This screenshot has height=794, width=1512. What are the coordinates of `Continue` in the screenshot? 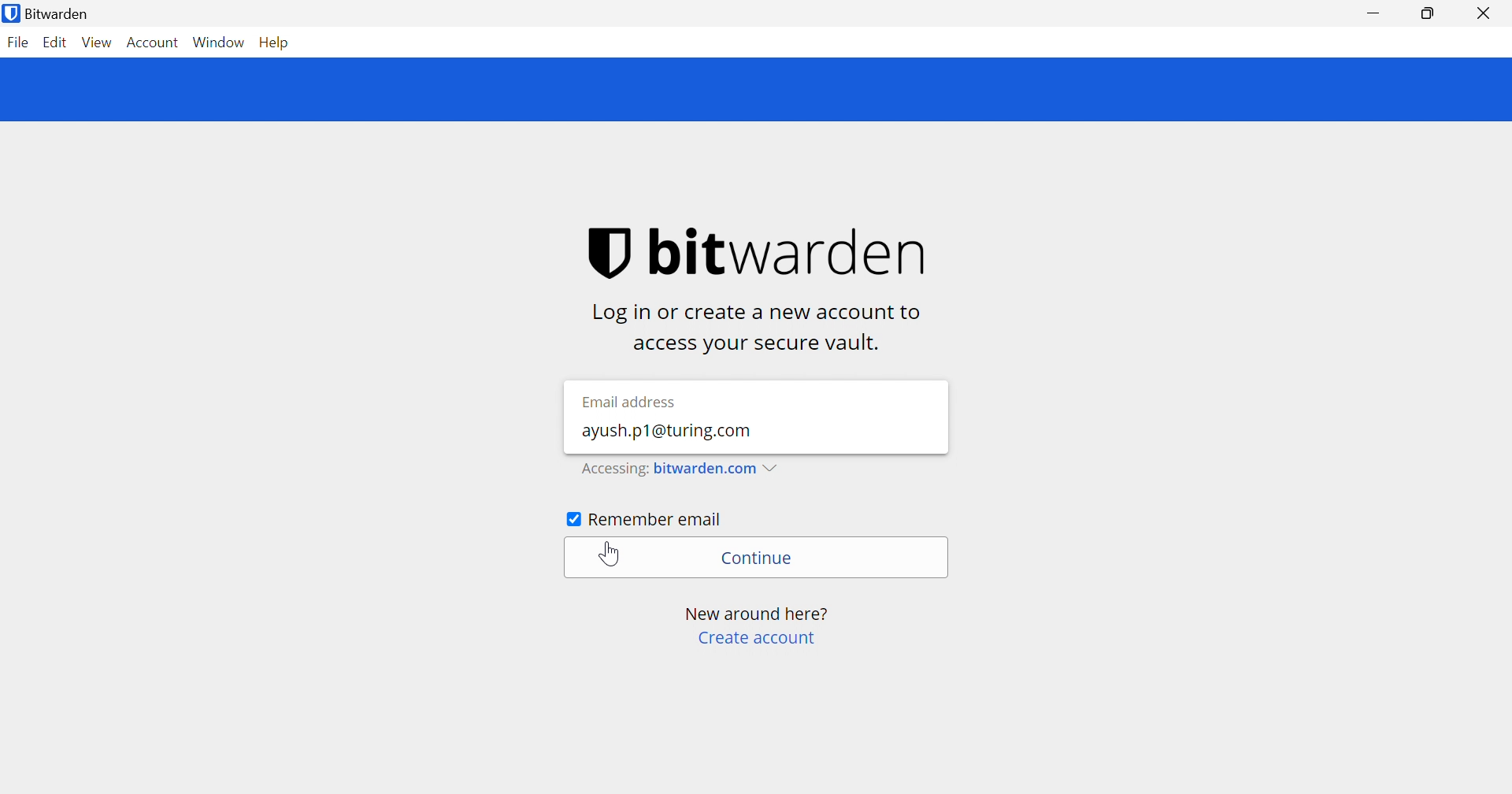 It's located at (755, 558).